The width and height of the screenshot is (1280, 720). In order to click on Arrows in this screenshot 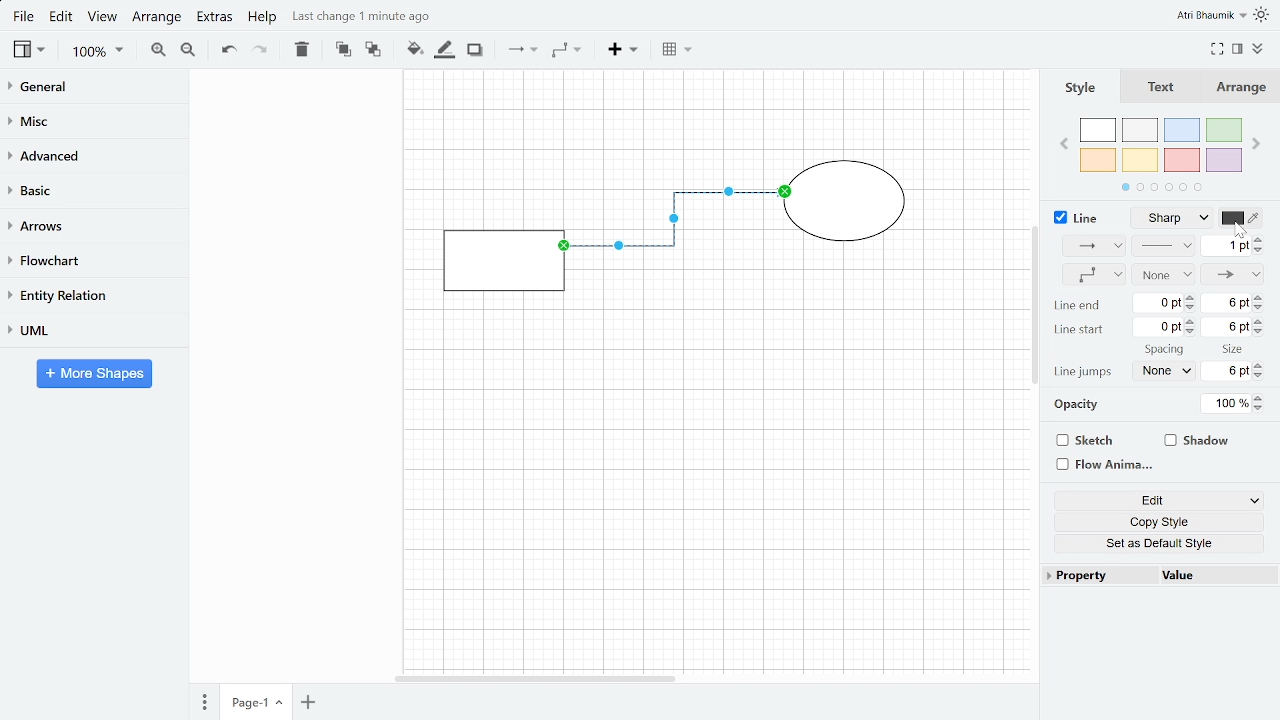, I will do `click(93, 225)`.